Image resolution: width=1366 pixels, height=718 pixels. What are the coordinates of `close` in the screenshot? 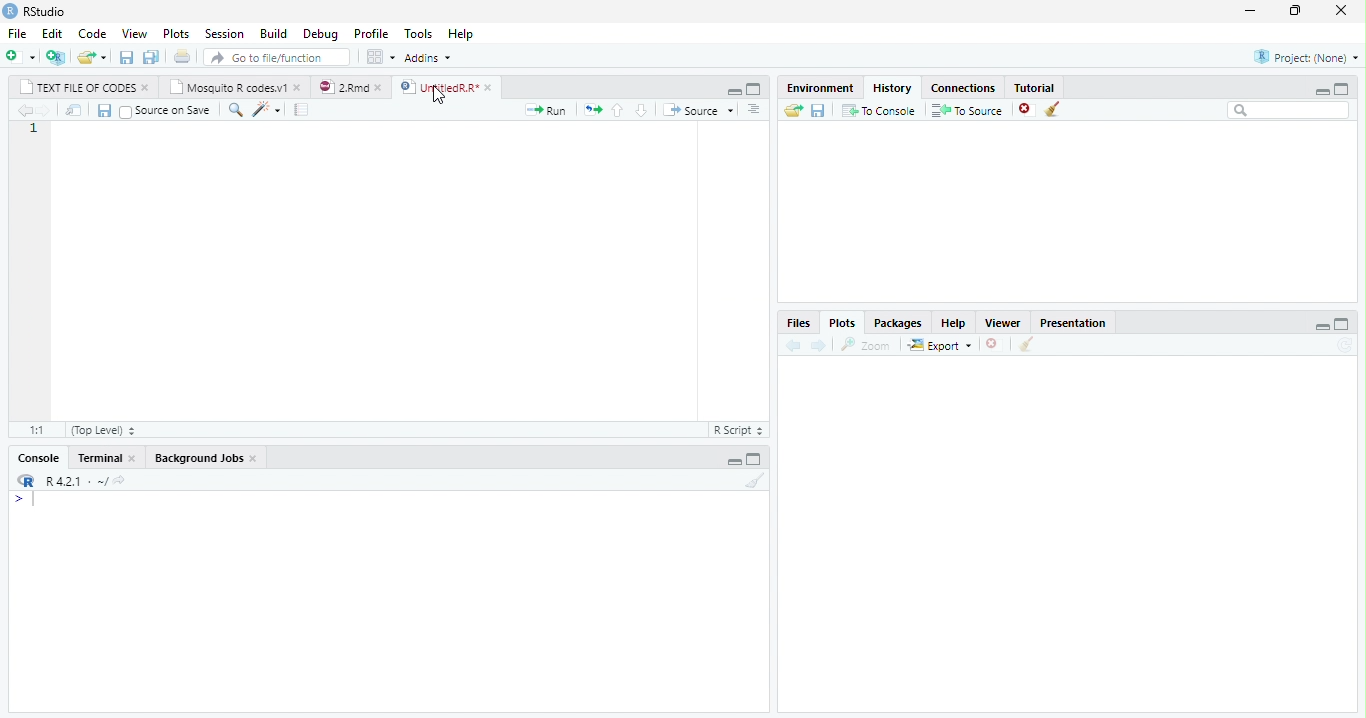 It's located at (489, 88).